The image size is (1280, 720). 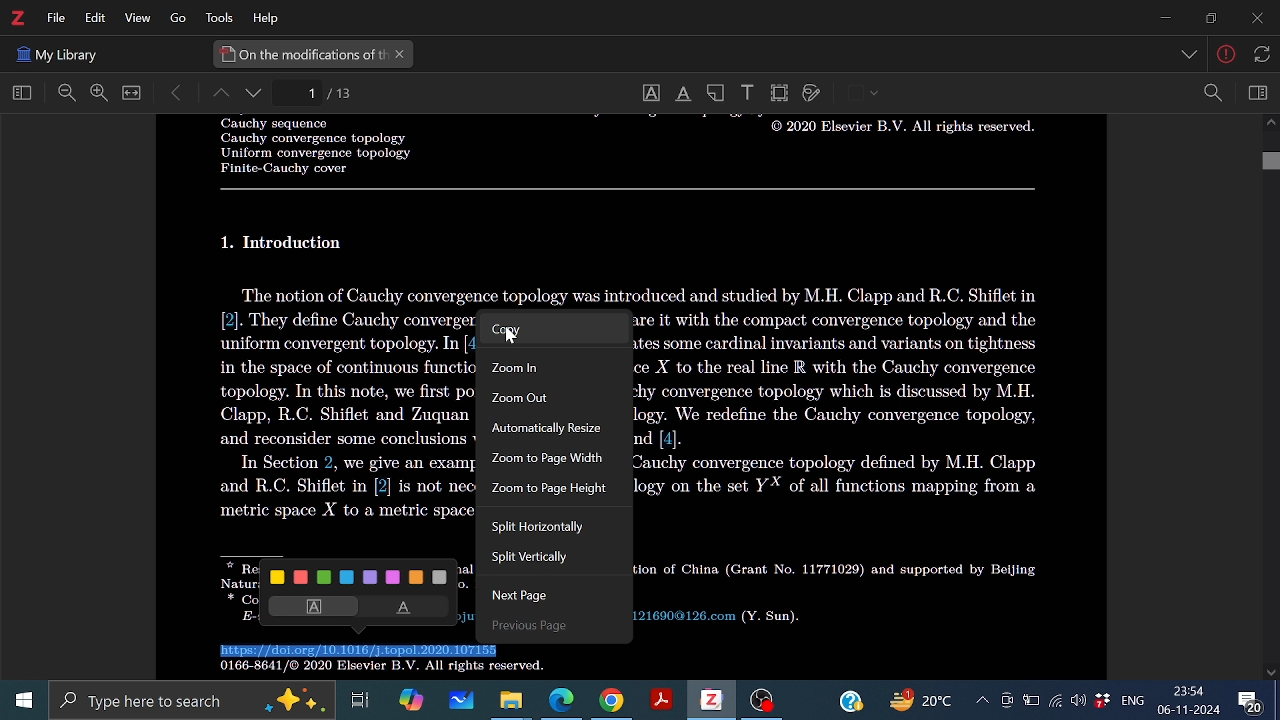 I want to click on Minmize, so click(x=1164, y=19).